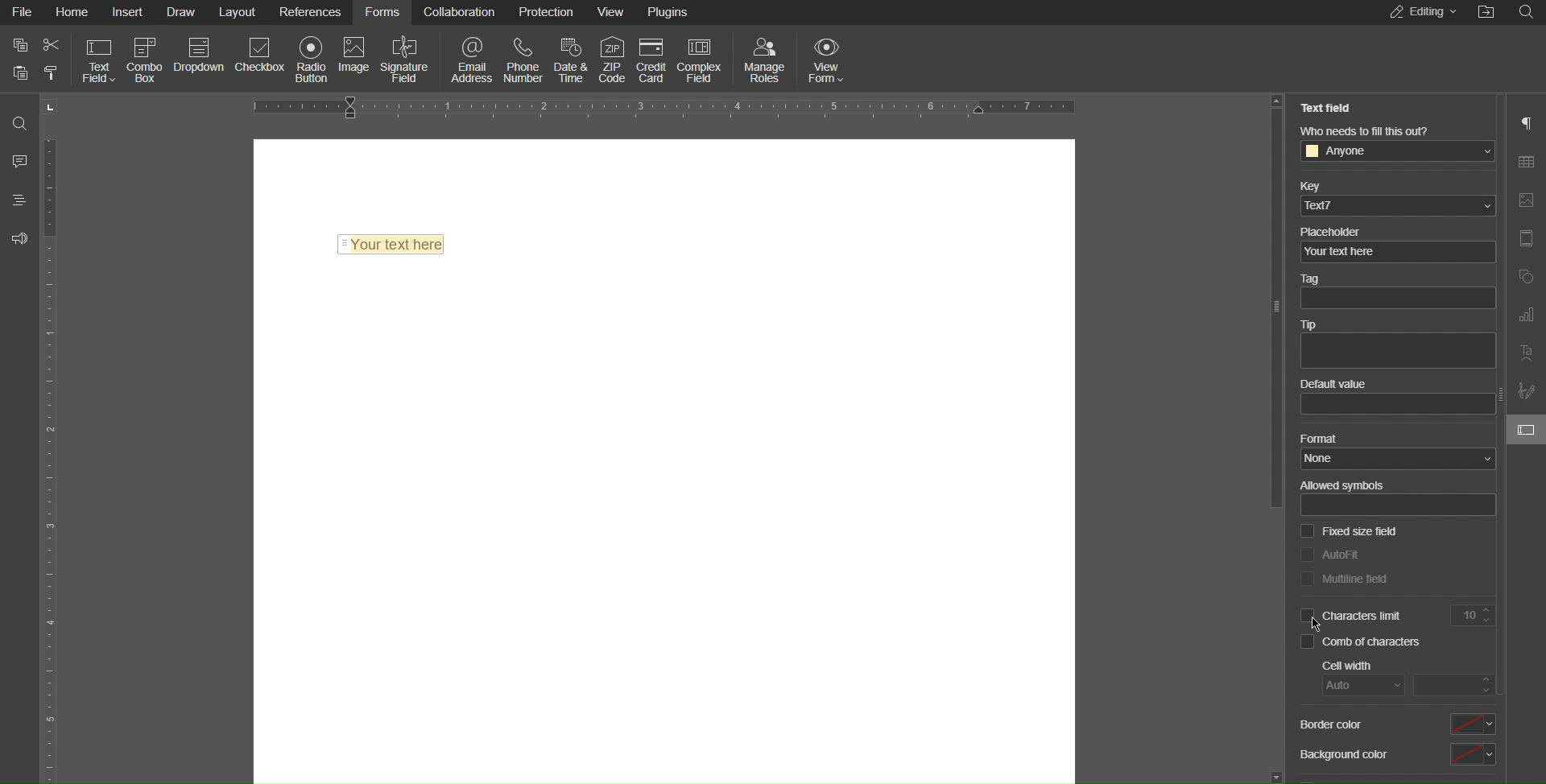  Describe the element at coordinates (1396, 345) in the screenshot. I see `Tip` at that location.